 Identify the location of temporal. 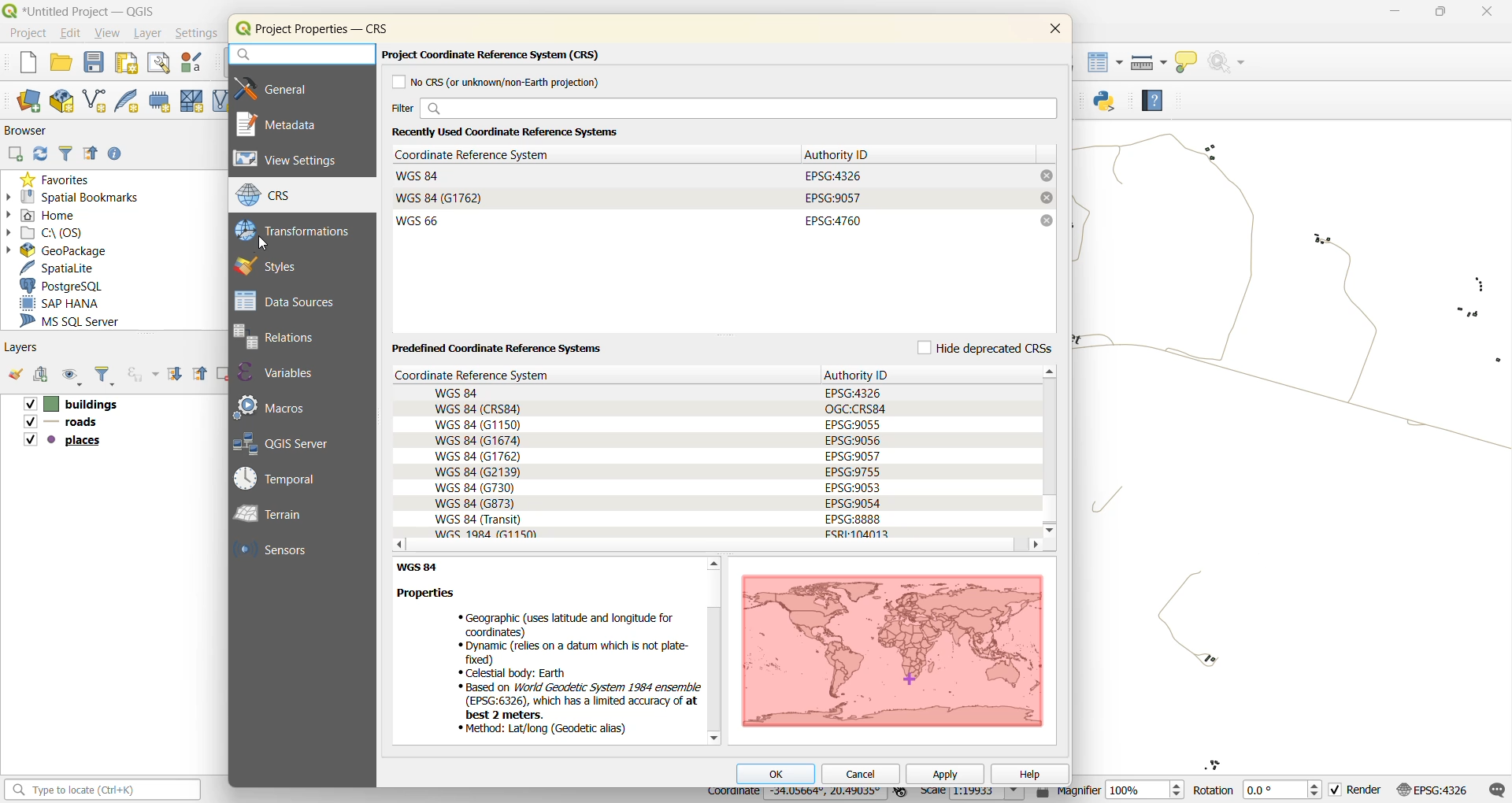
(282, 479).